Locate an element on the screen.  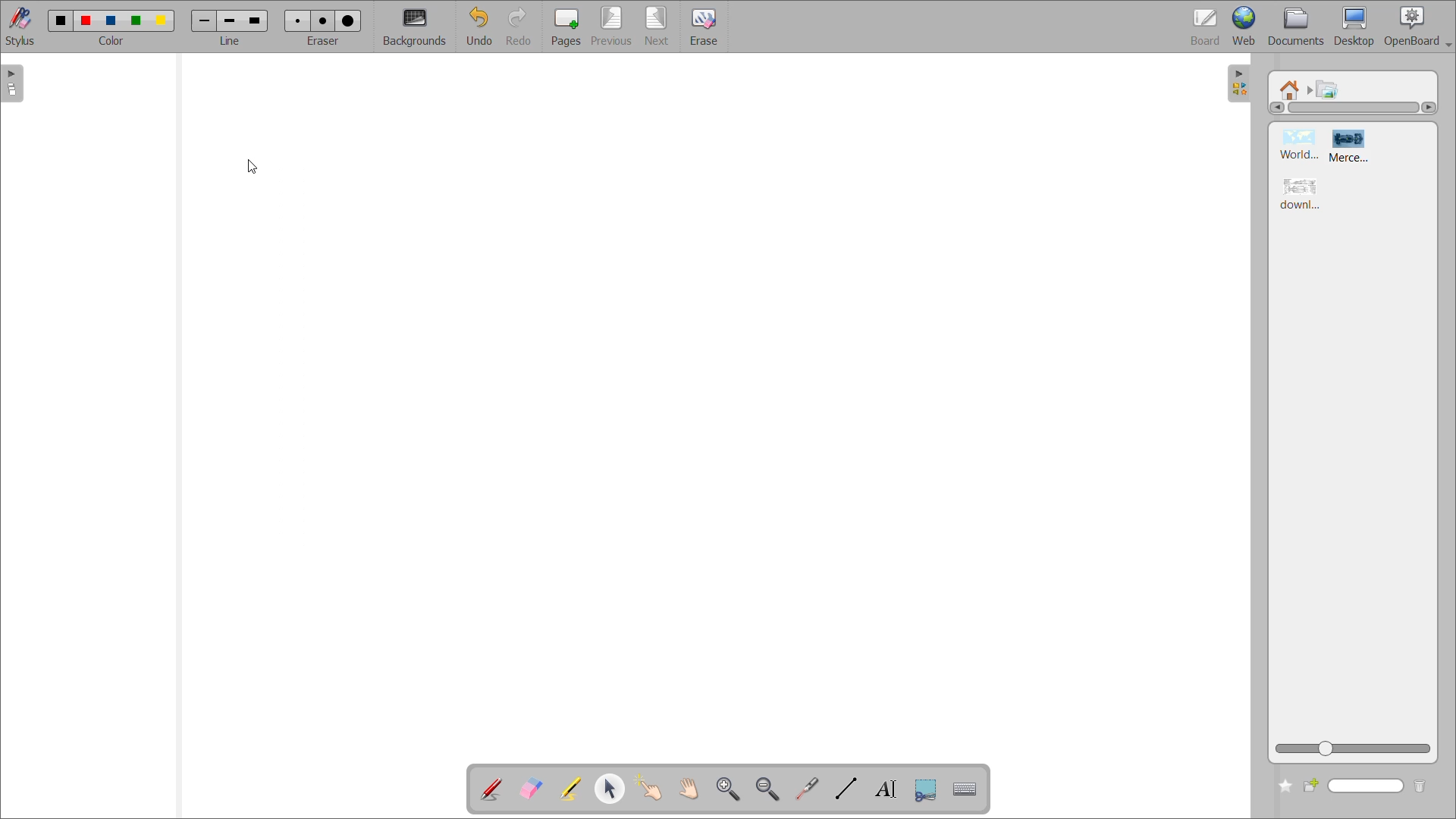
color 2 is located at coordinates (86, 20).